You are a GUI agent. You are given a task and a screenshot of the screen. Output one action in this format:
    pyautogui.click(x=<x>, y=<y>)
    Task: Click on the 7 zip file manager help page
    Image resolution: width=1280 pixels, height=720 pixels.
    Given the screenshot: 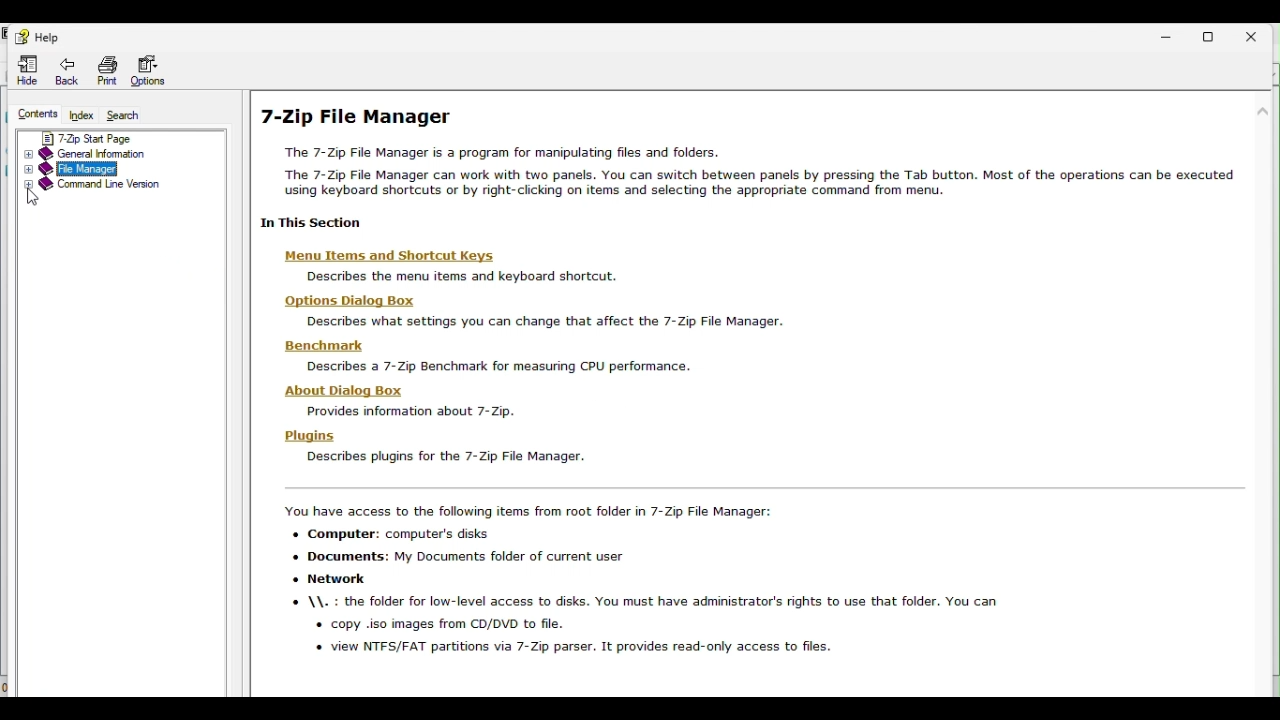 What is the action you would take?
    pyautogui.click(x=755, y=163)
    